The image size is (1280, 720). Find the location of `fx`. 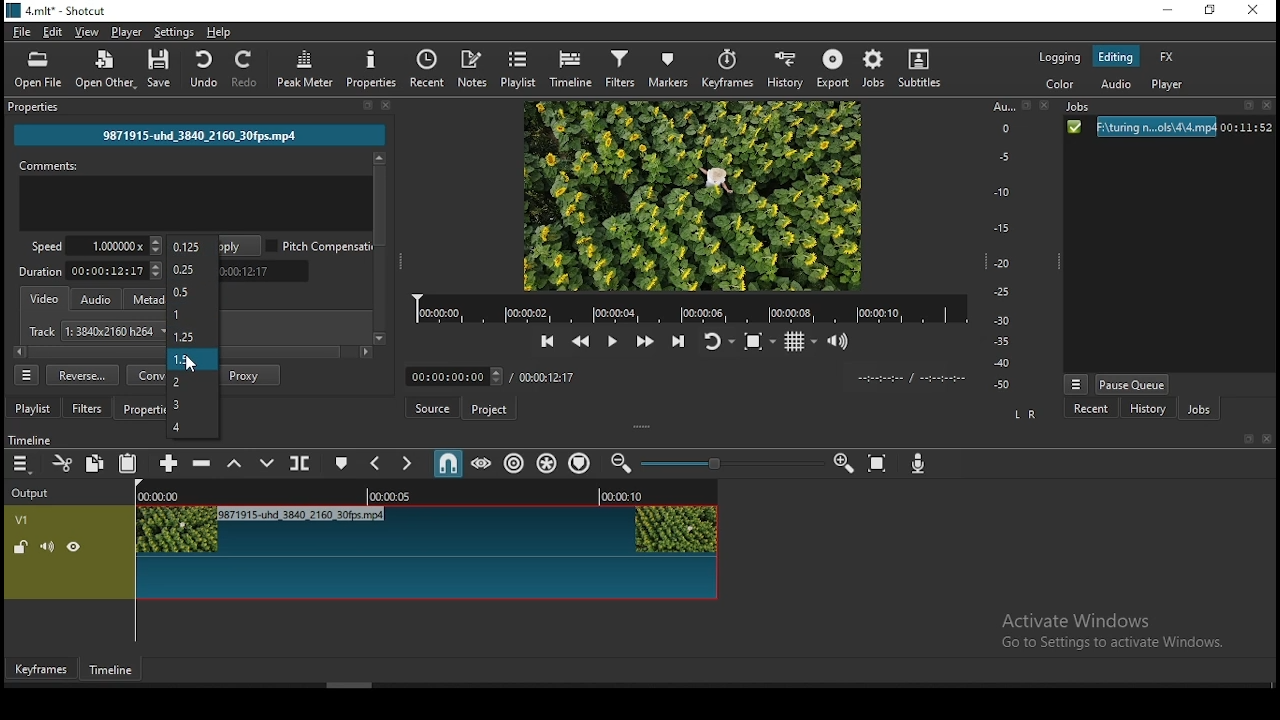

fx is located at coordinates (1167, 58).